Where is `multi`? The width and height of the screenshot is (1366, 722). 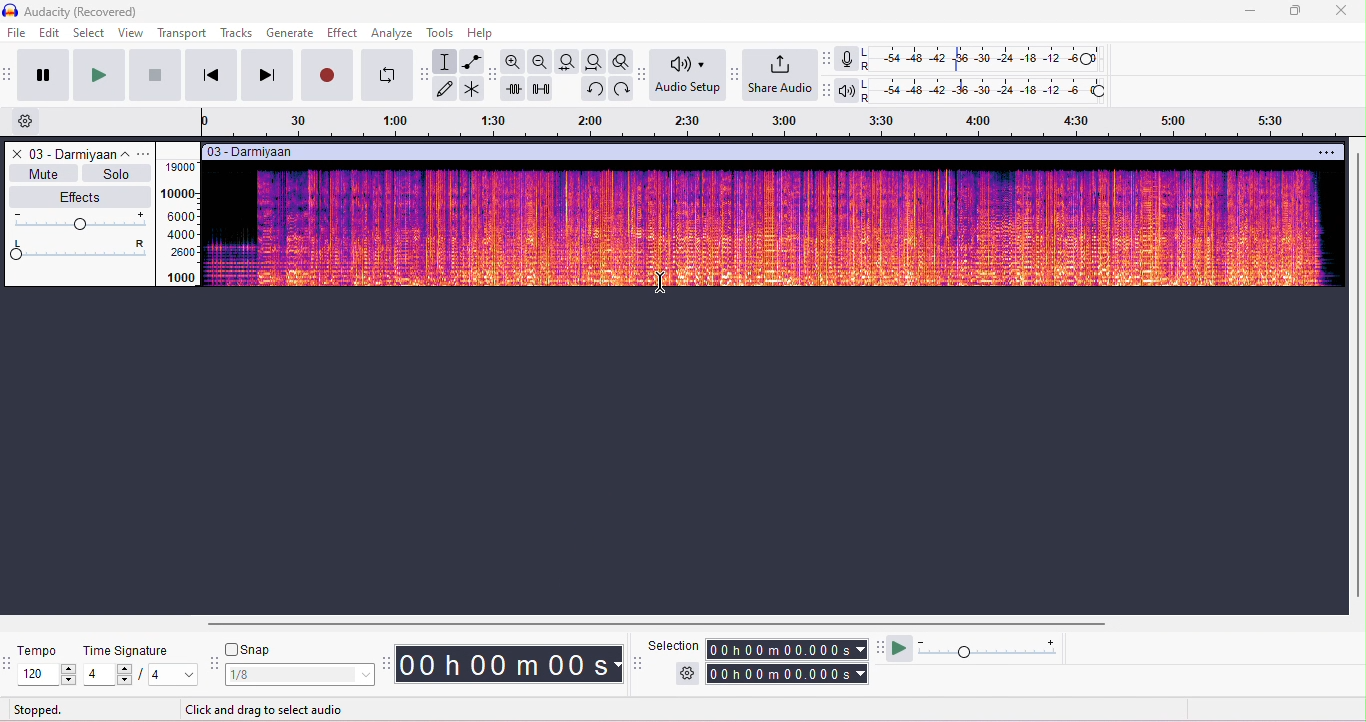 multi is located at coordinates (473, 90).